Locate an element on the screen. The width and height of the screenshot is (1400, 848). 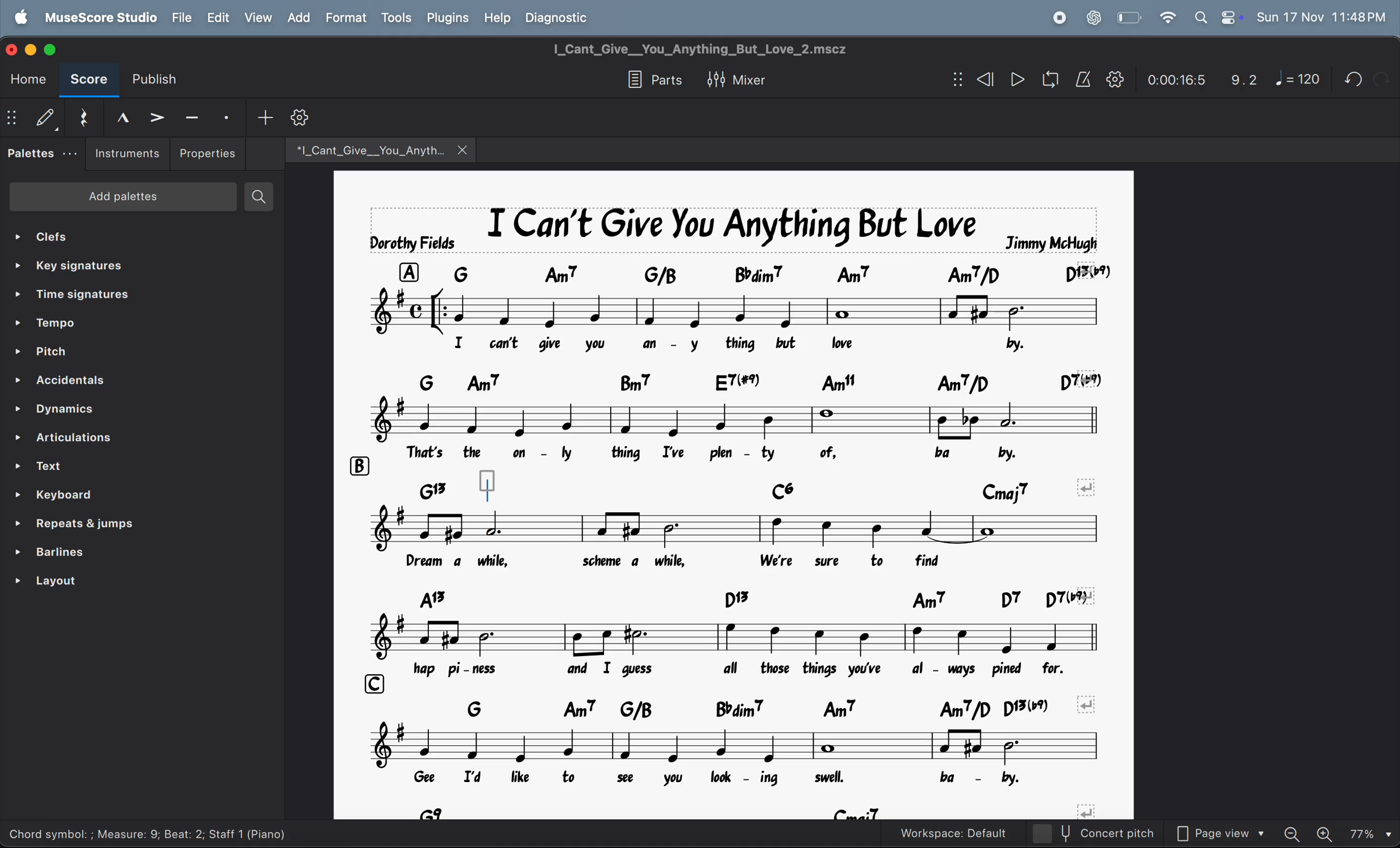
tempo is located at coordinates (131, 326).